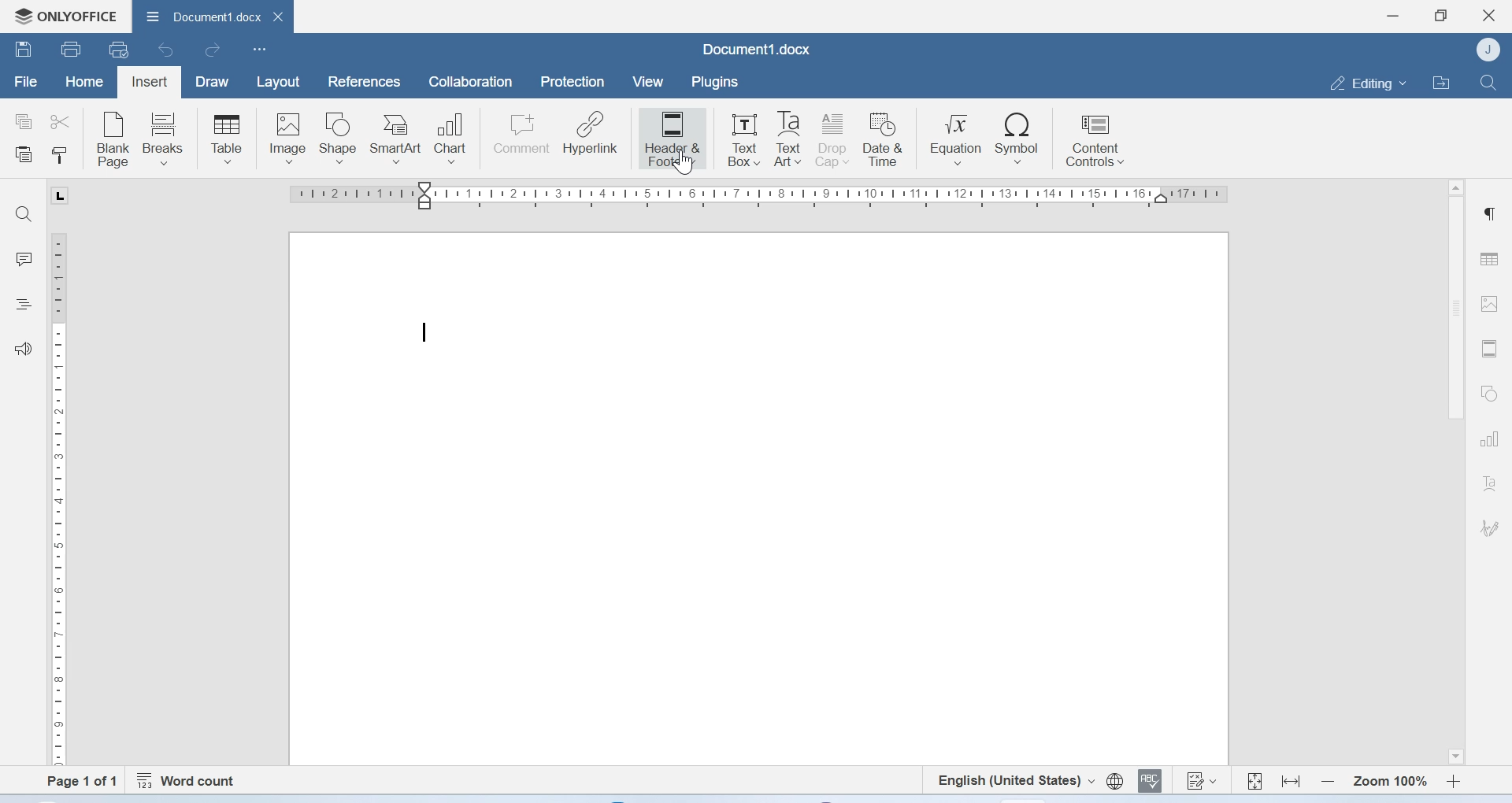  Describe the element at coordinates (1442, 14) in the screenshot. I see `Maximize` at that location.